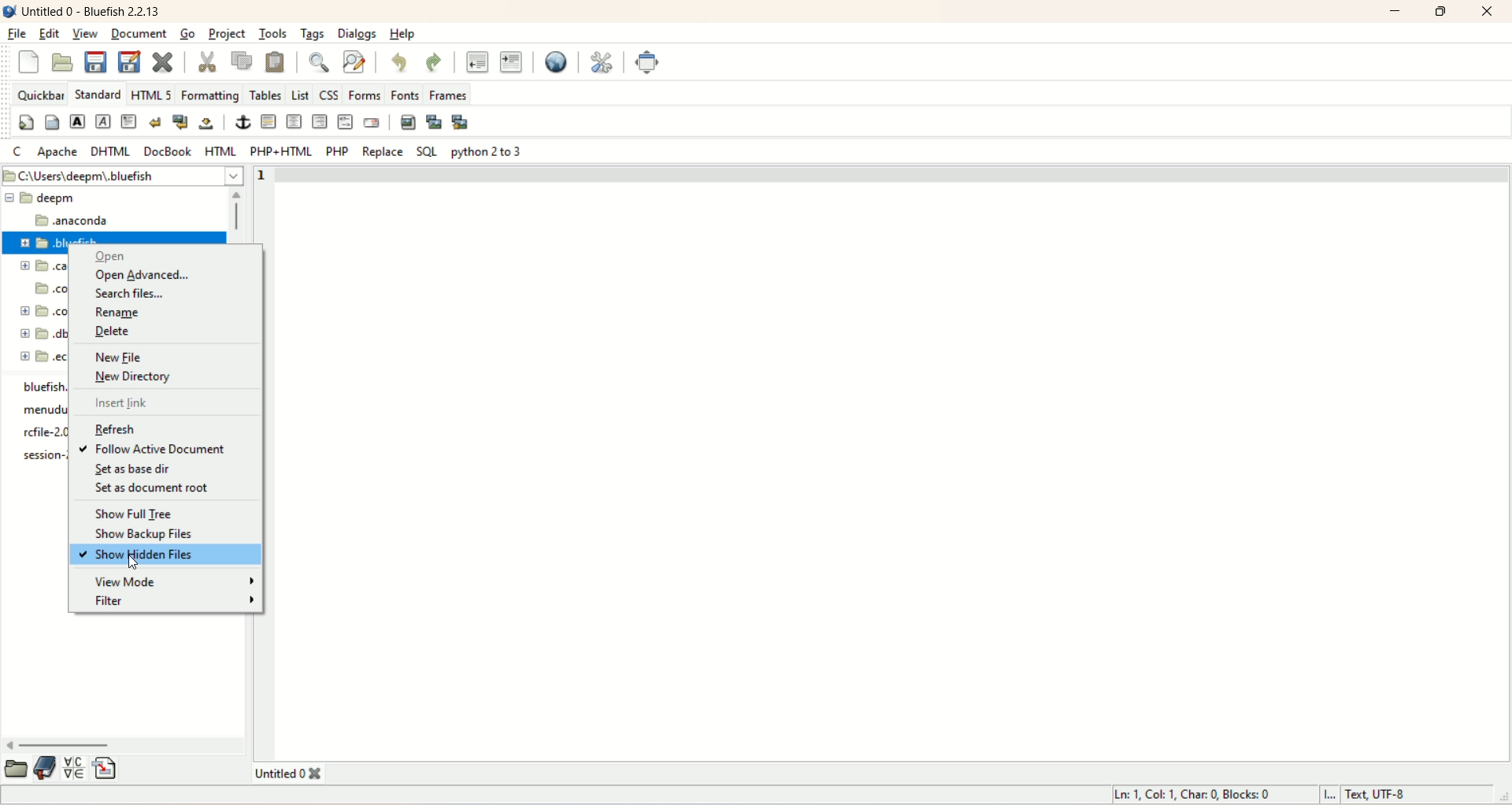 The width and height of the screenshot is (1512, 805). I want to click on replace, so click(384, 151).